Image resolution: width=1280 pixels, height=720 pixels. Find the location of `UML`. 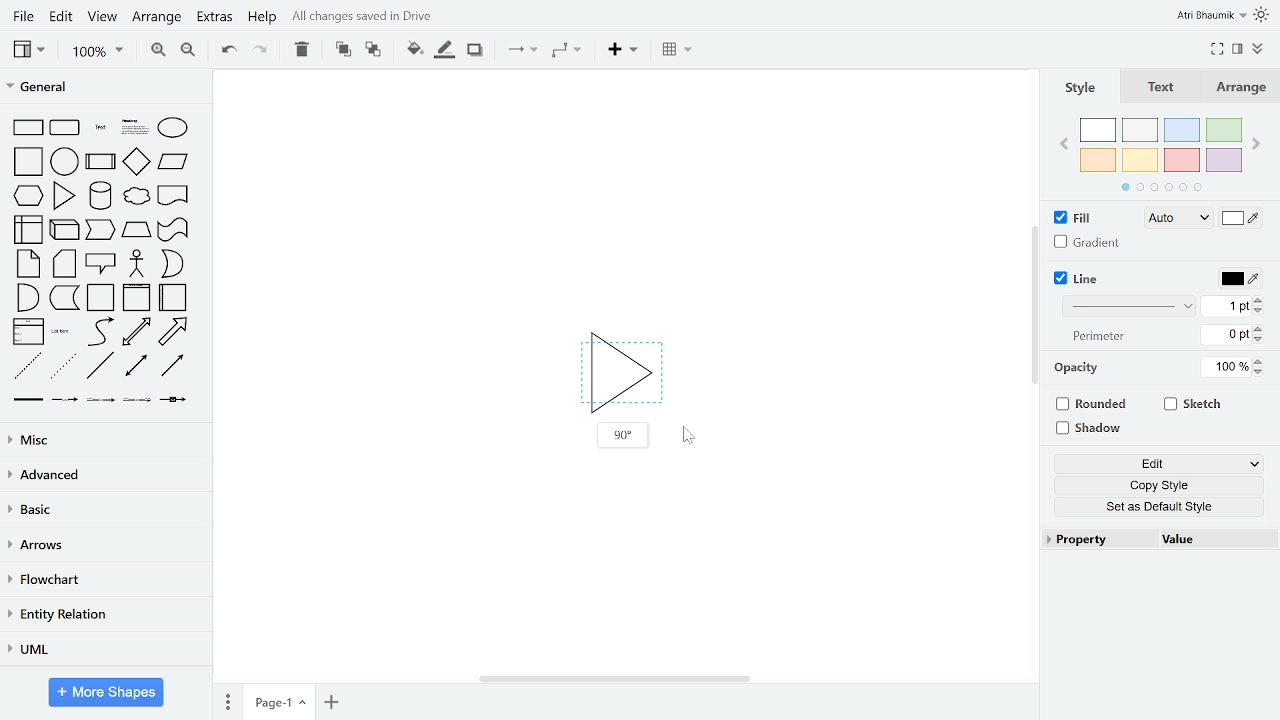

UML is located at coordinates (101, 648).